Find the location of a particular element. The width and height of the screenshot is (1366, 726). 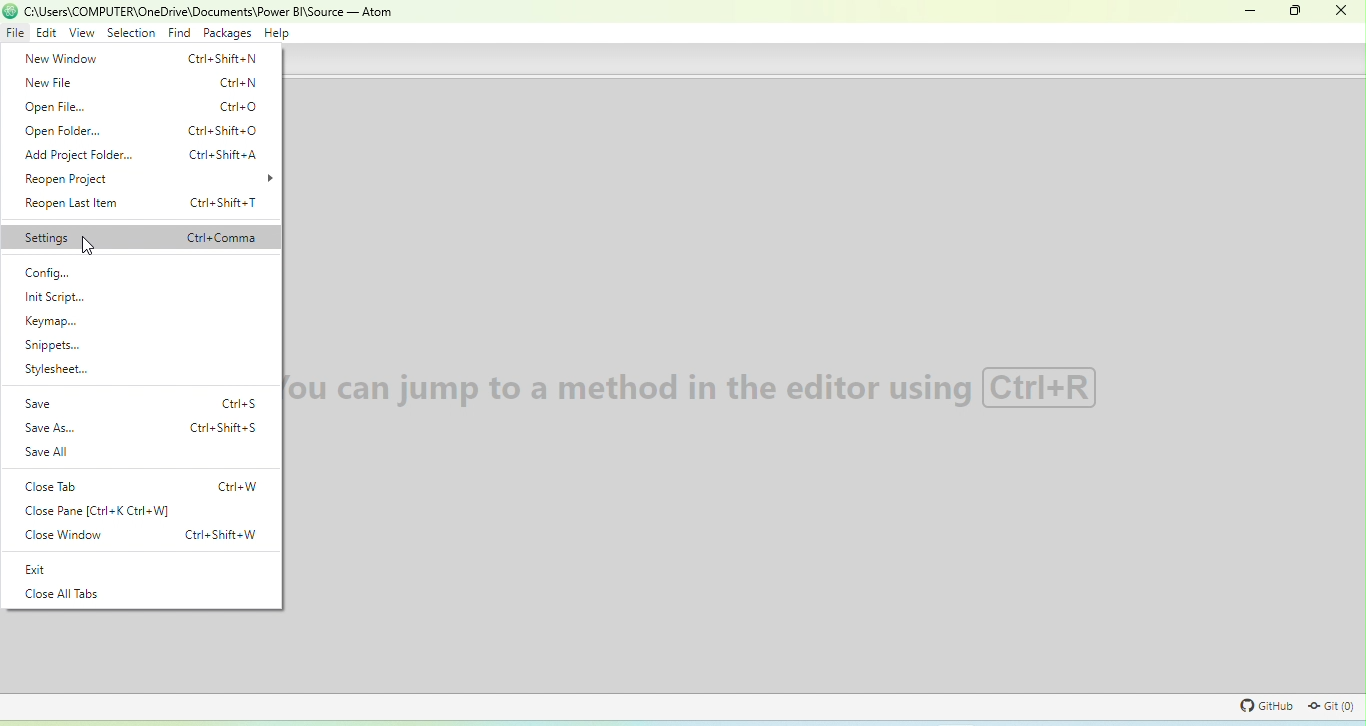

close pane is located at coordinates (104, 512).